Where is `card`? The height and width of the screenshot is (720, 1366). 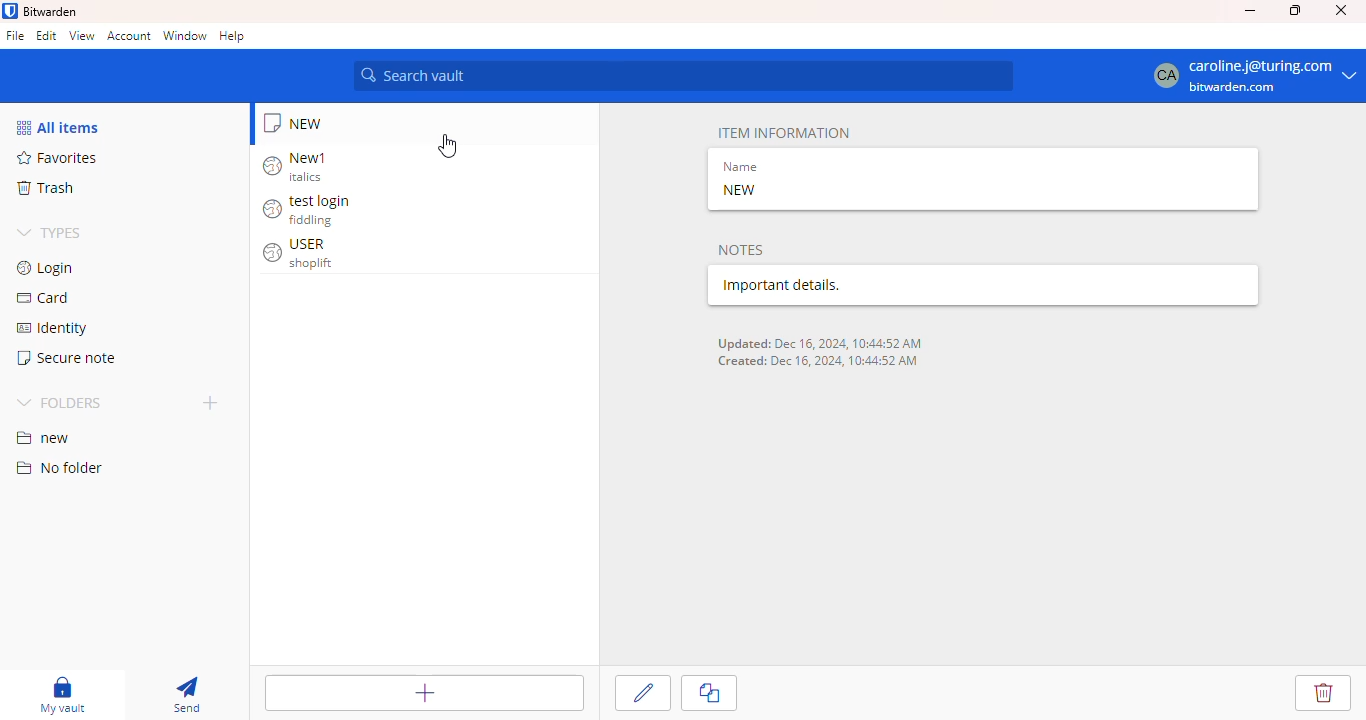
card is located at coordinates (44, 298).